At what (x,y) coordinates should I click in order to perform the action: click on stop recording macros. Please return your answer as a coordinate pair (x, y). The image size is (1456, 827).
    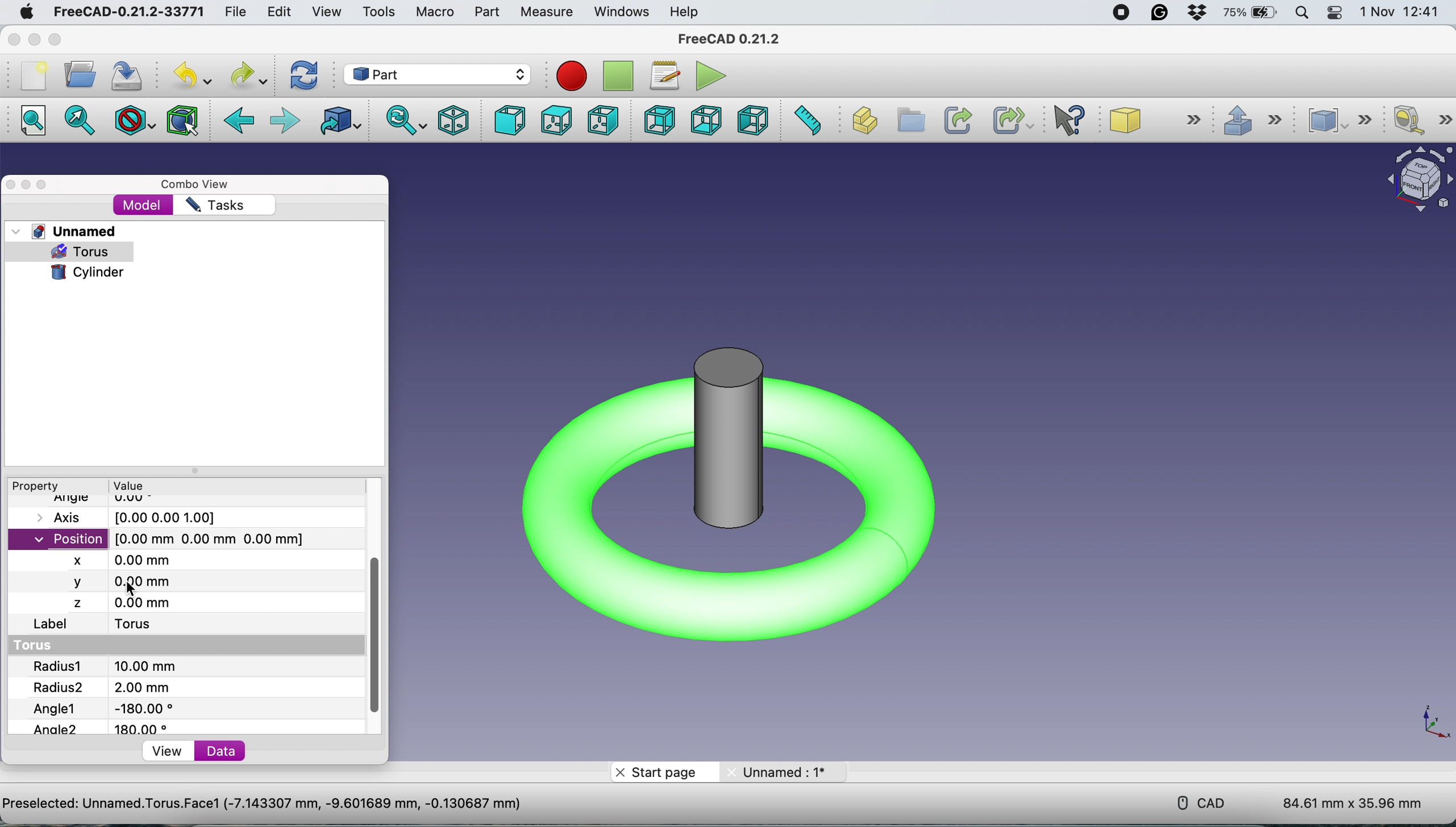
    Looking at the image, I should click on (618, 76).